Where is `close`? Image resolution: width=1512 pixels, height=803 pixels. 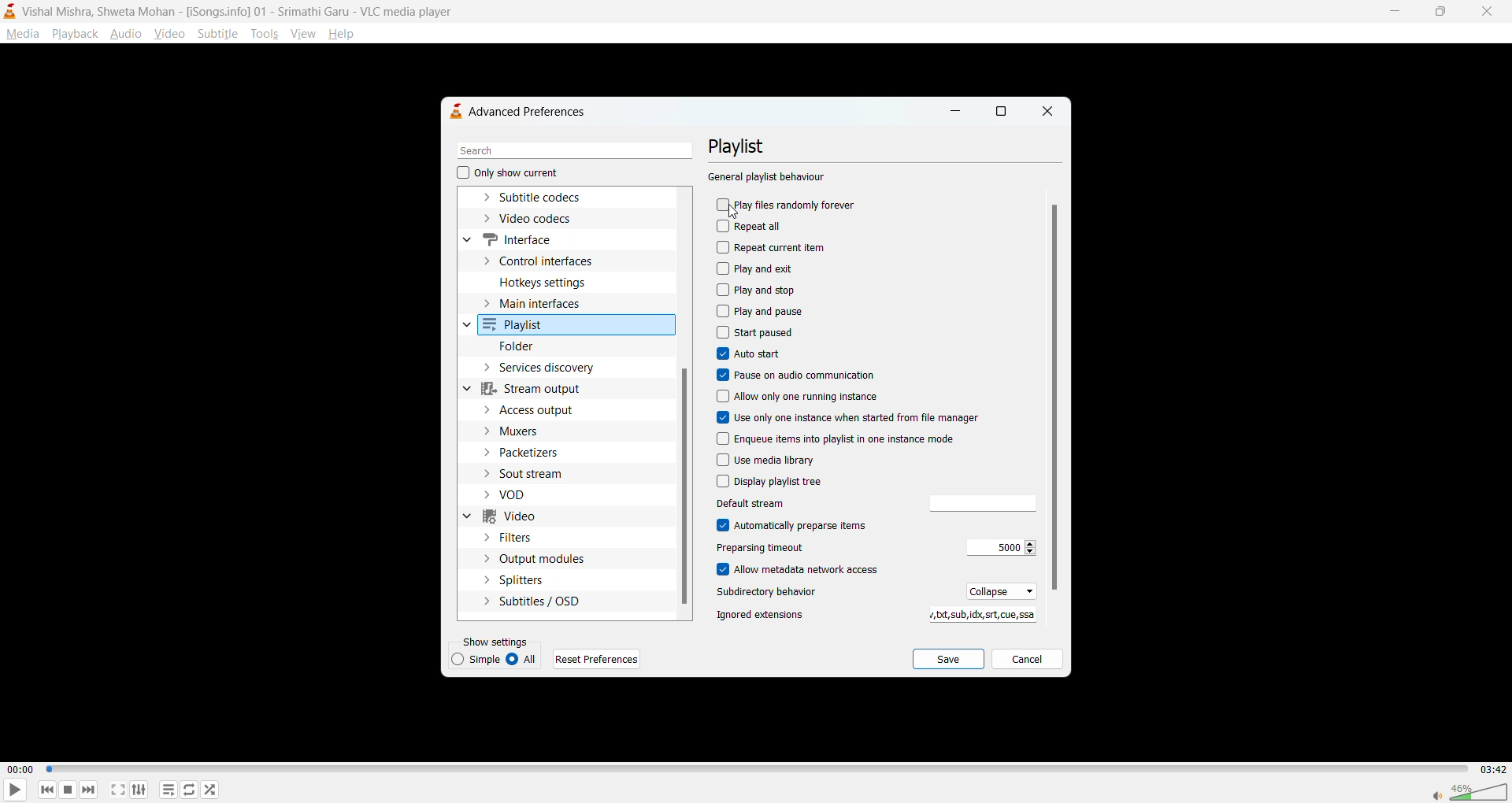
close is located at coordinates (1482, 12).